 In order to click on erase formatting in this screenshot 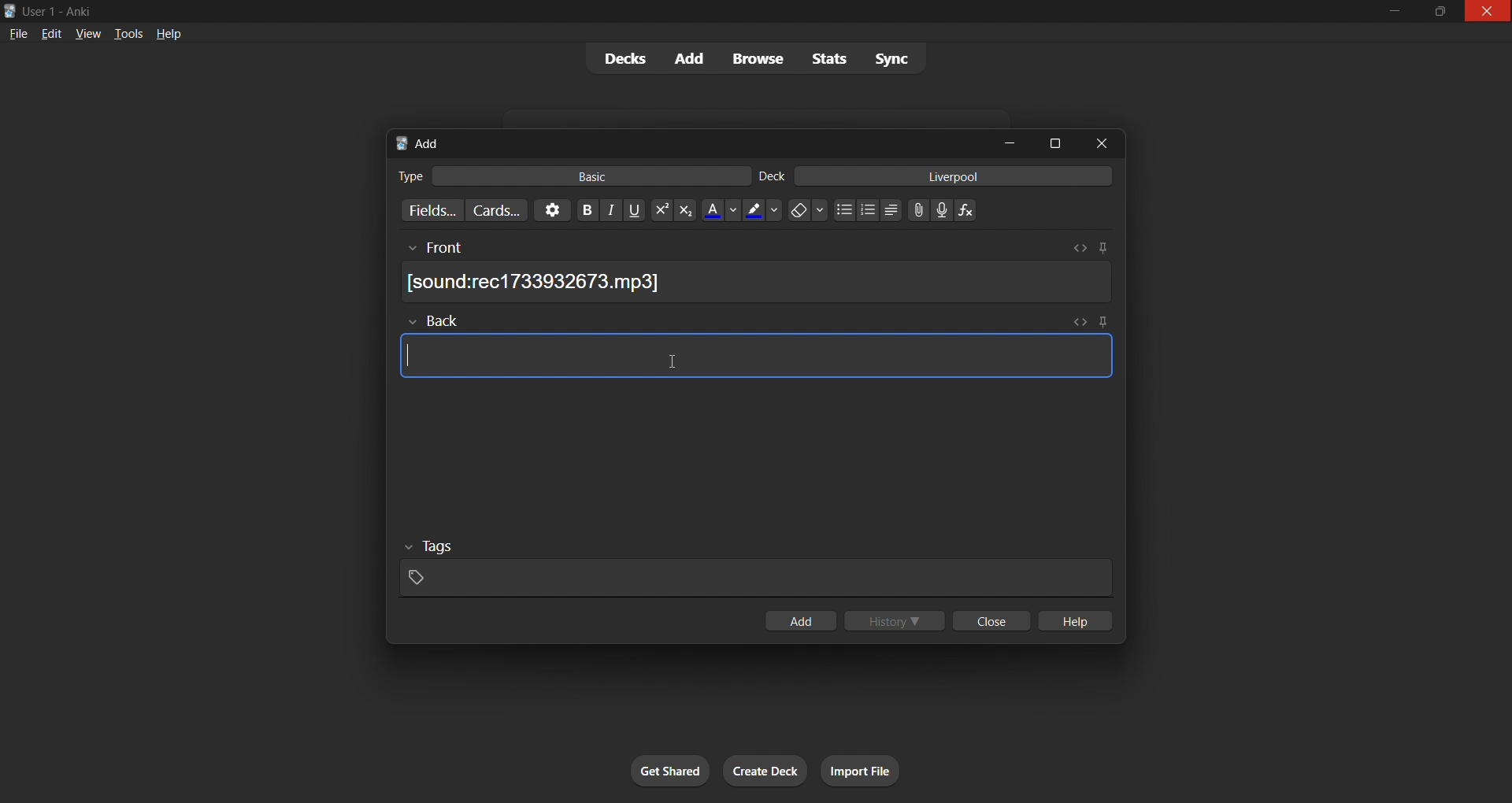, I will do `click(806, 211)`.